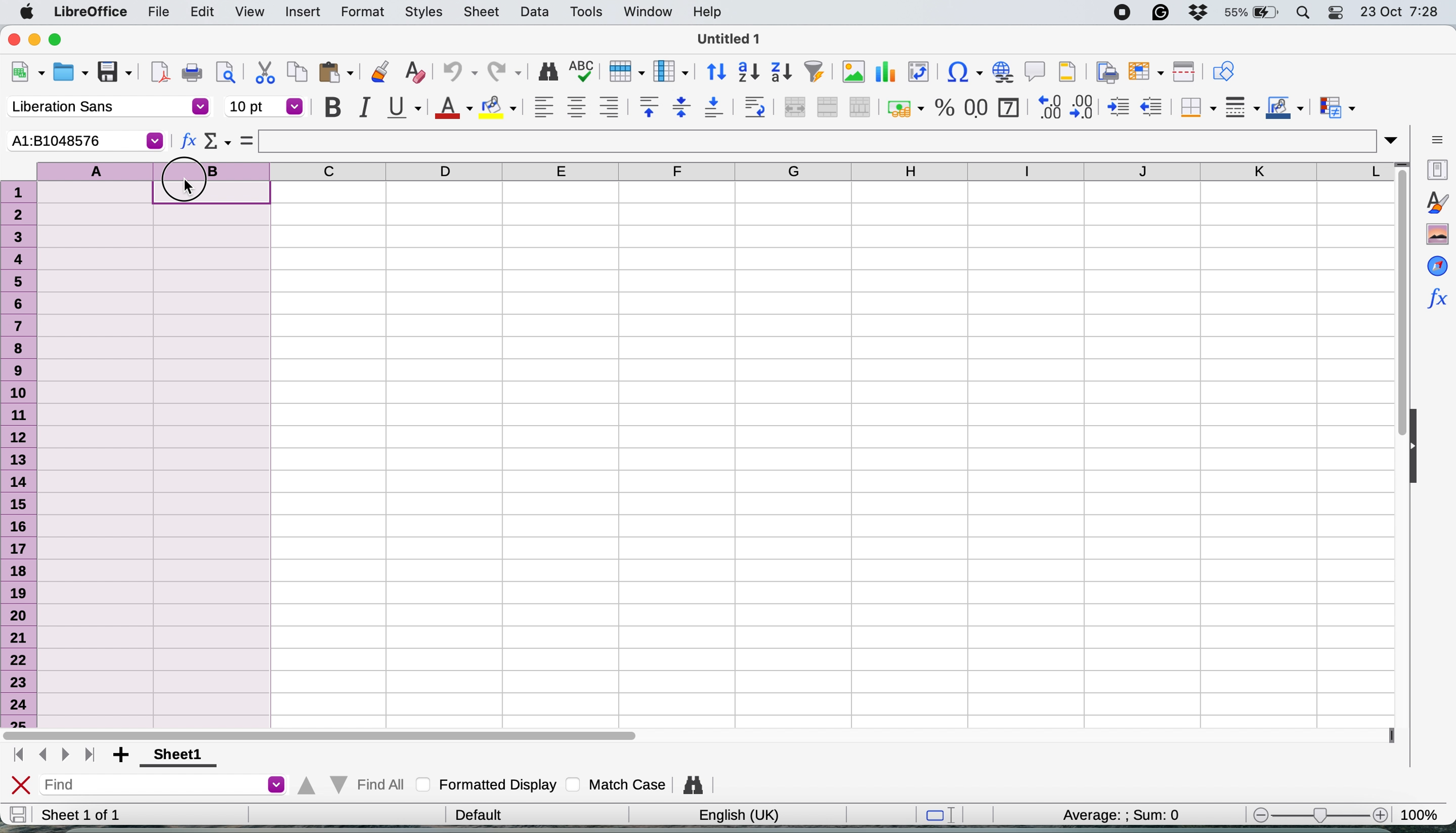  I want to click on format as number, so click(975, 108).